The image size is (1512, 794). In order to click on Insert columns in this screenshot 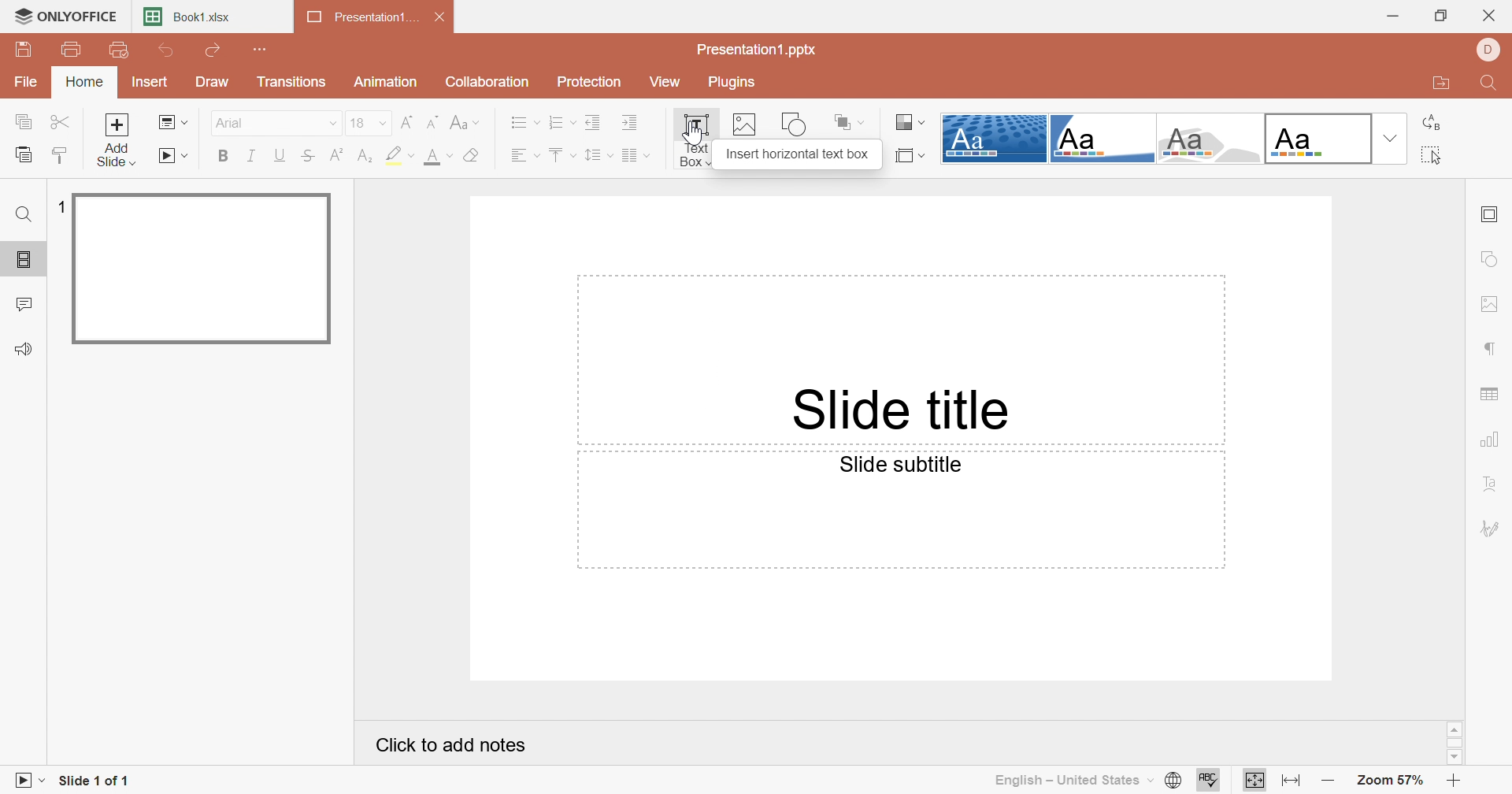, I will do `click(634, 155)`.